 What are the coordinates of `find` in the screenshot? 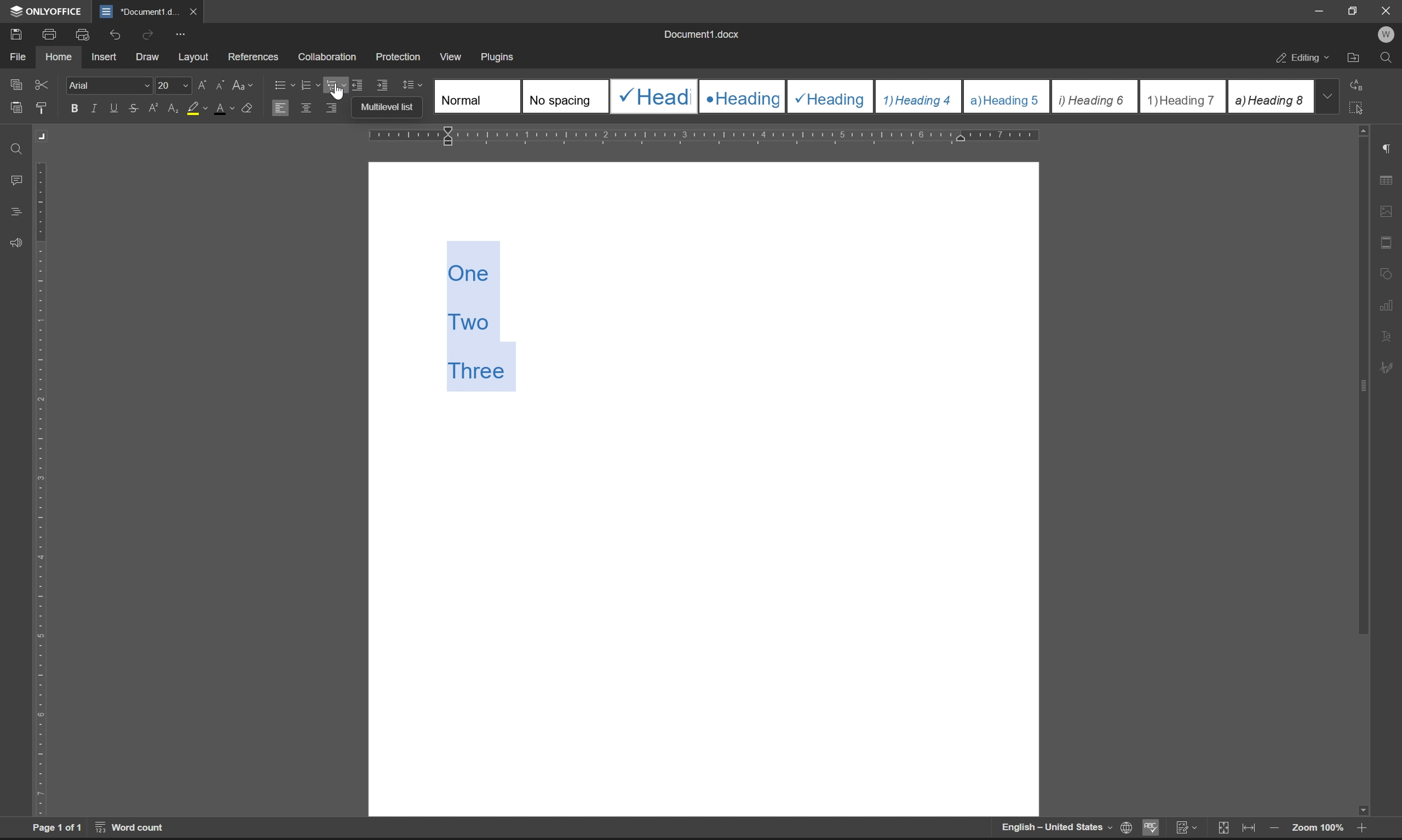 It's located at (18, 150).